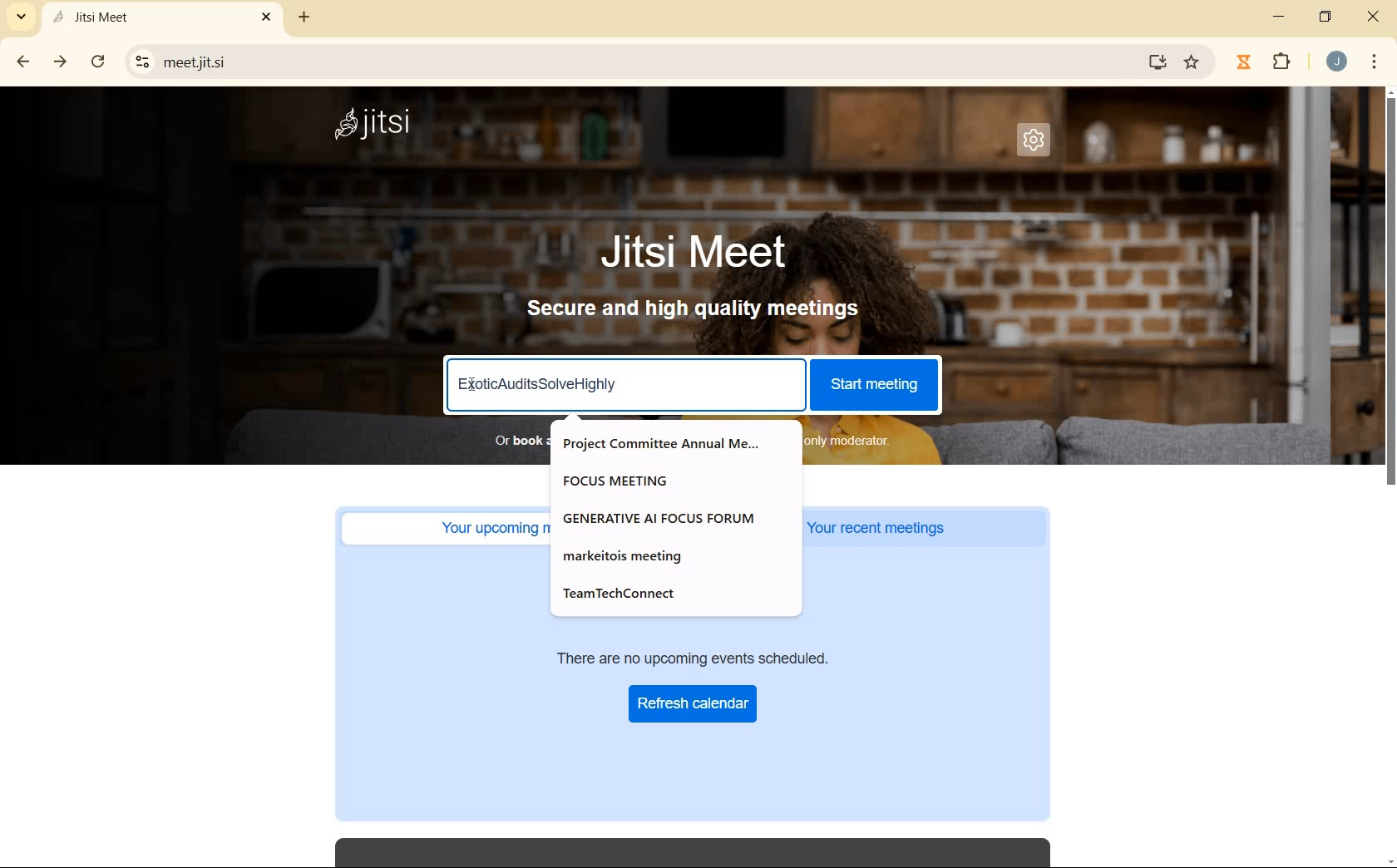  I want to click on bookmark, so click(1193, 62).